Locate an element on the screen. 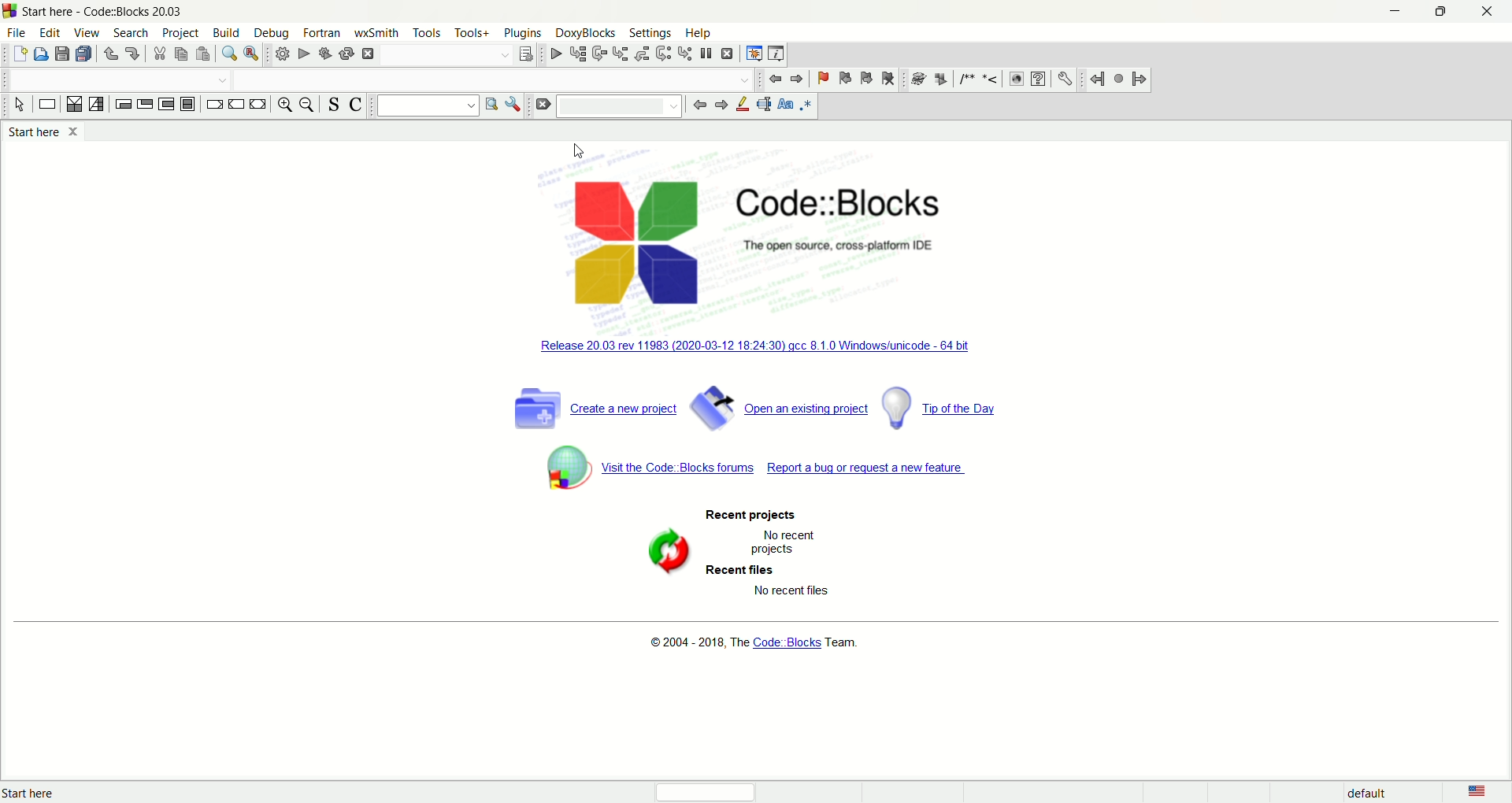  text search is located at coordinates (427, 106).